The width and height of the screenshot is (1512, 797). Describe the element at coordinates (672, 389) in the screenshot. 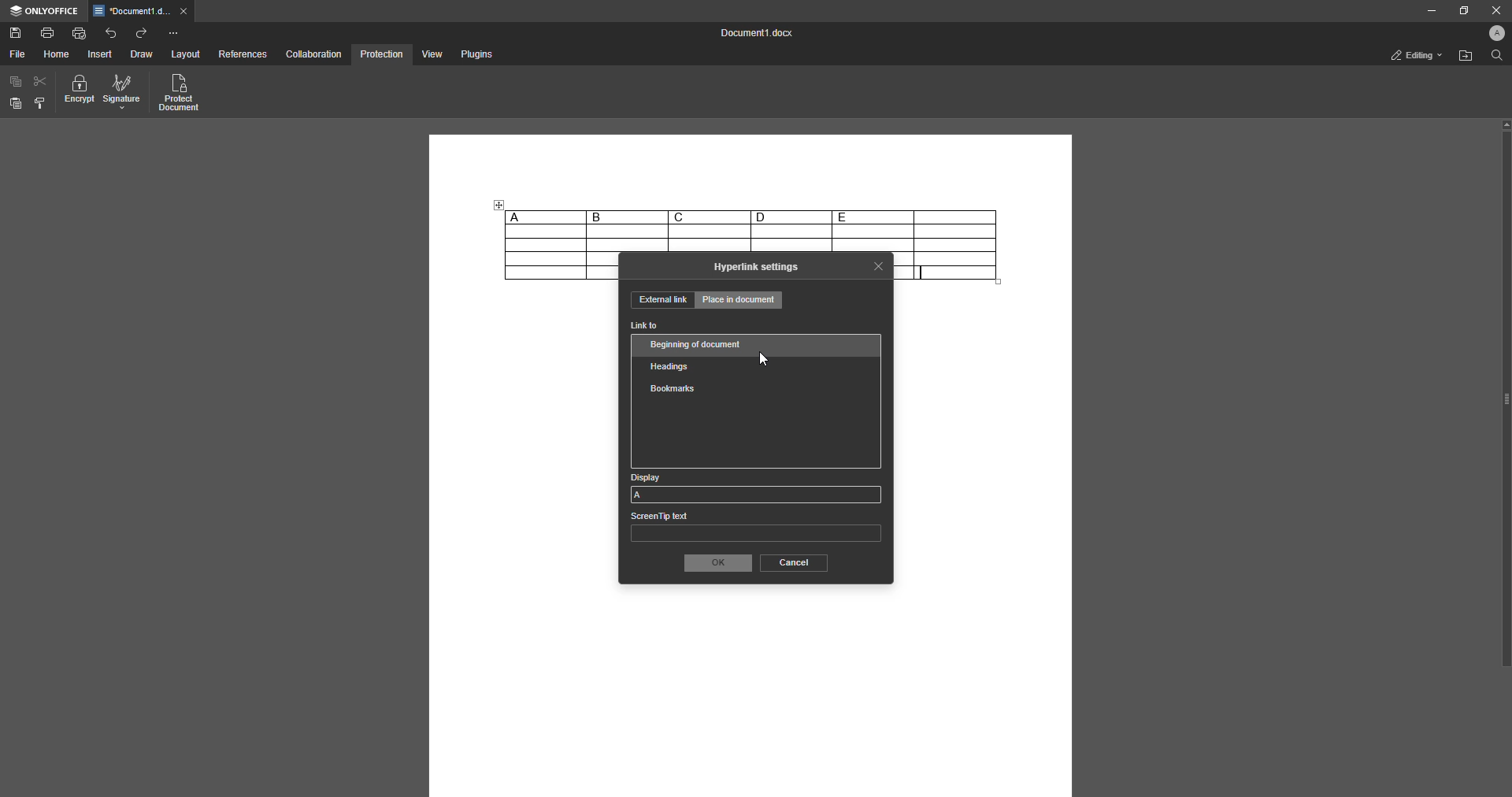

I see `Bookmarks` at that location.